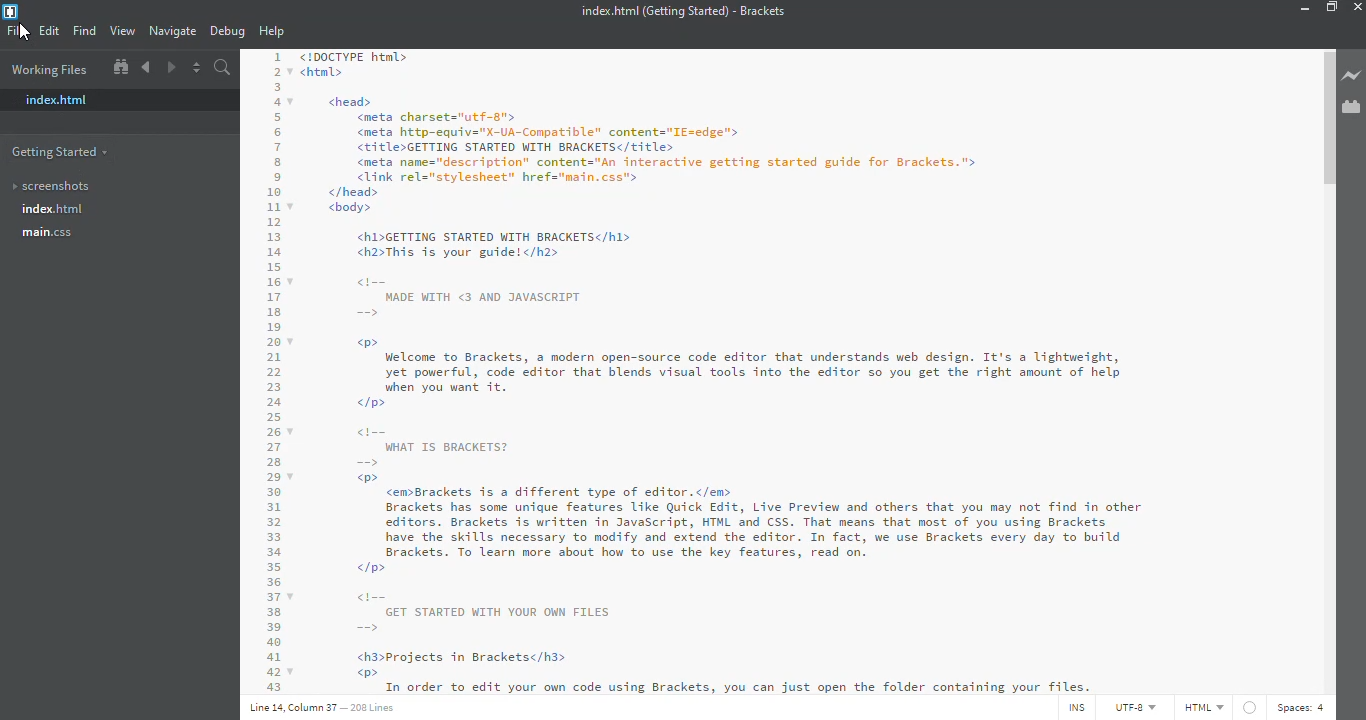  What do you see at coordinates (748, 546) in the screenshot?
I see `od

WHAT IS BRACKETS?

=

w®>
<emBrackets is a different type of editor.</em>
Brackets has some unique features Like Quick Edit, Live Preview and others that you may not find in other
editors. Brackets is written in JavaScript, HTML and CSS. That means that most of you using Brackets
have the skills necessary to modify and extend the editor. In fact, we use Brackets every day to build
Brackets. To learn more about how to use the key features, read on.

</p>
GET STARTED WITH YOUR OWN FILES

=

<h3>Projects in Bracketsc/h3>

w®>
i Grief ee ne a Aha a LR St Sa ae)` at bounding box center [748, 546].